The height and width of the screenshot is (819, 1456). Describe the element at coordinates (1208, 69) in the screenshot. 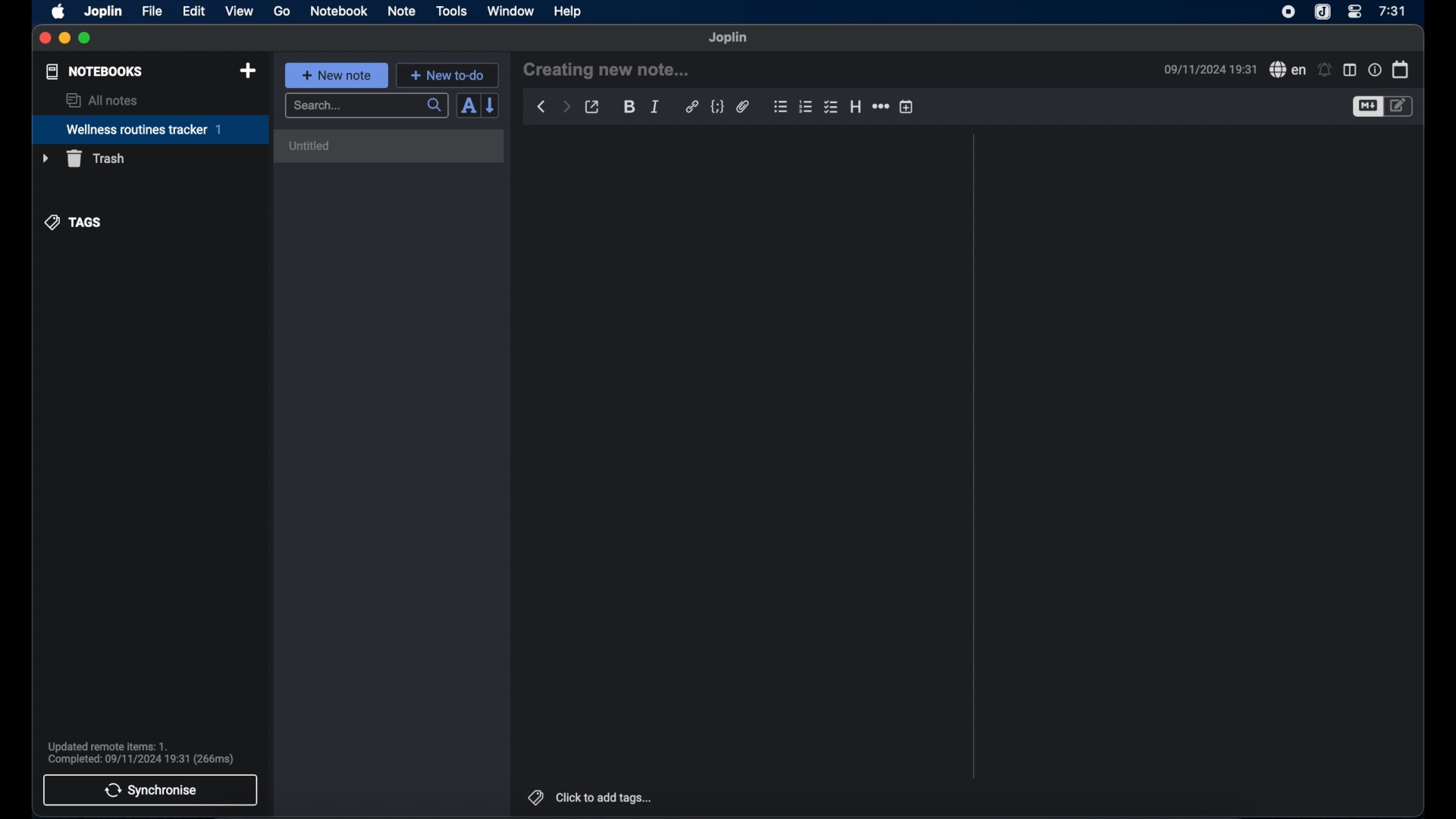

I see `09/11/2024 19:31` at that location.